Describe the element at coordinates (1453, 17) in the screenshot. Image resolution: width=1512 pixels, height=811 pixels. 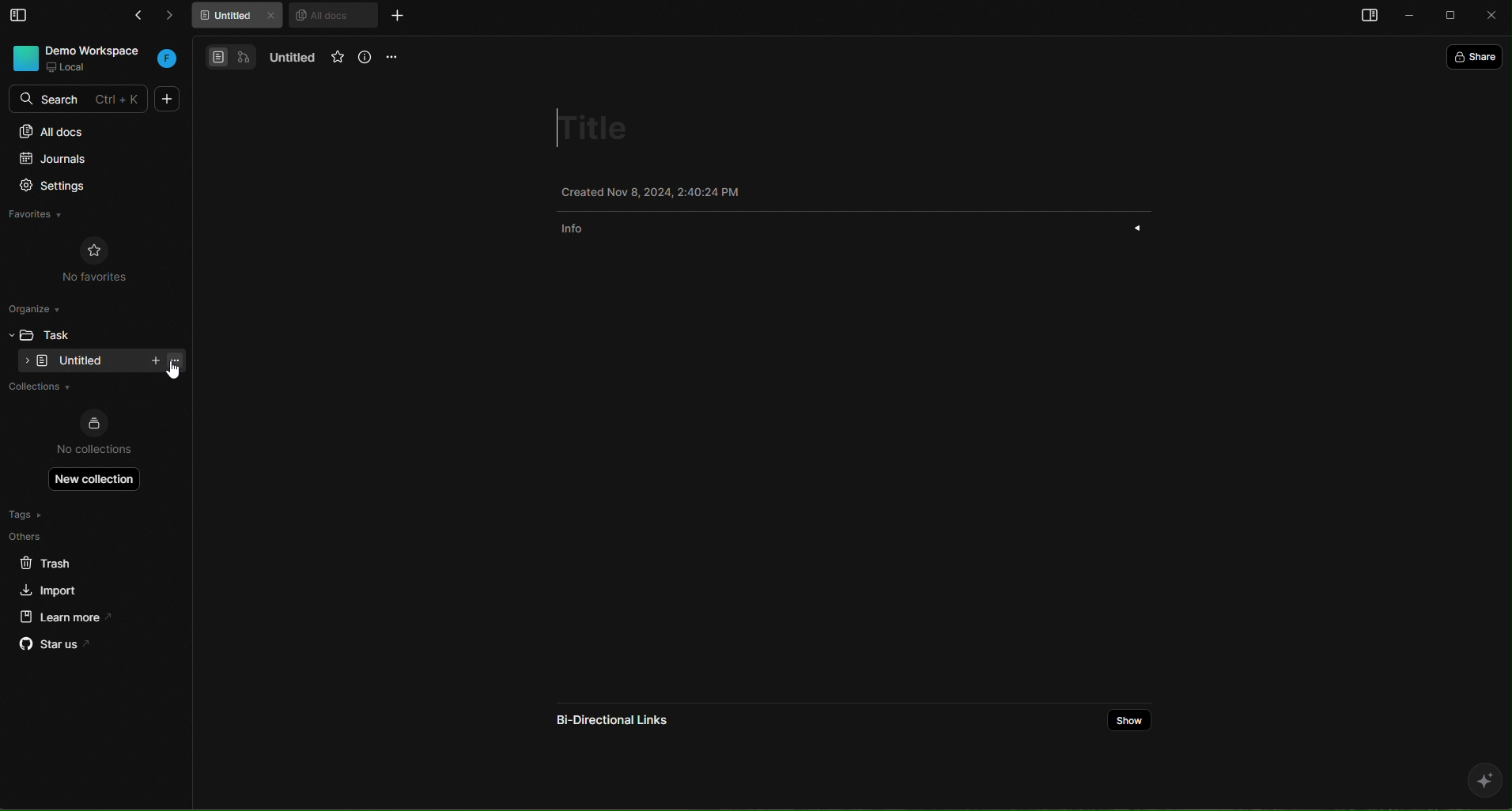
I see `maximize` at that location.